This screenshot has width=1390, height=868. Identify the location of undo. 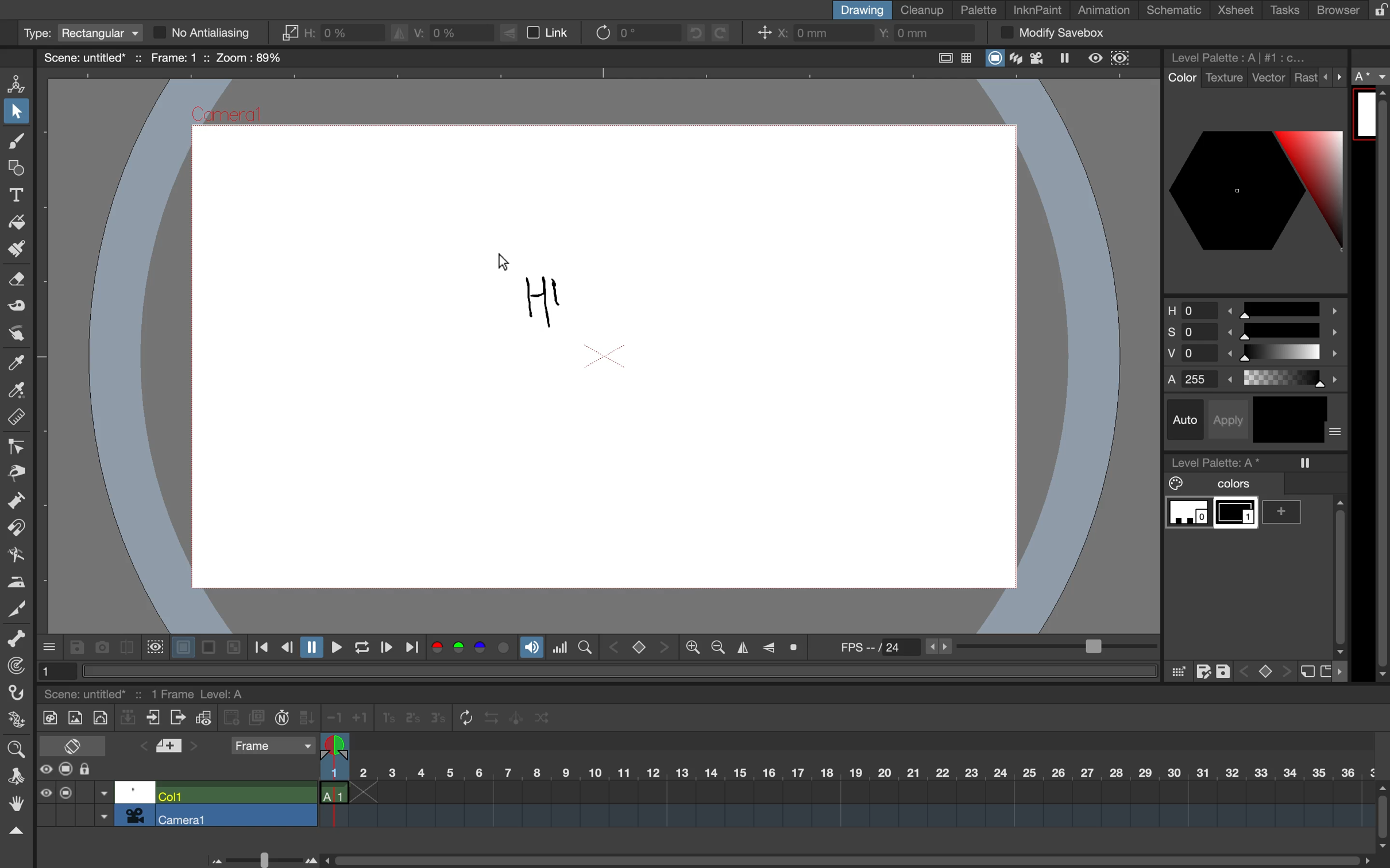
(692, 33).